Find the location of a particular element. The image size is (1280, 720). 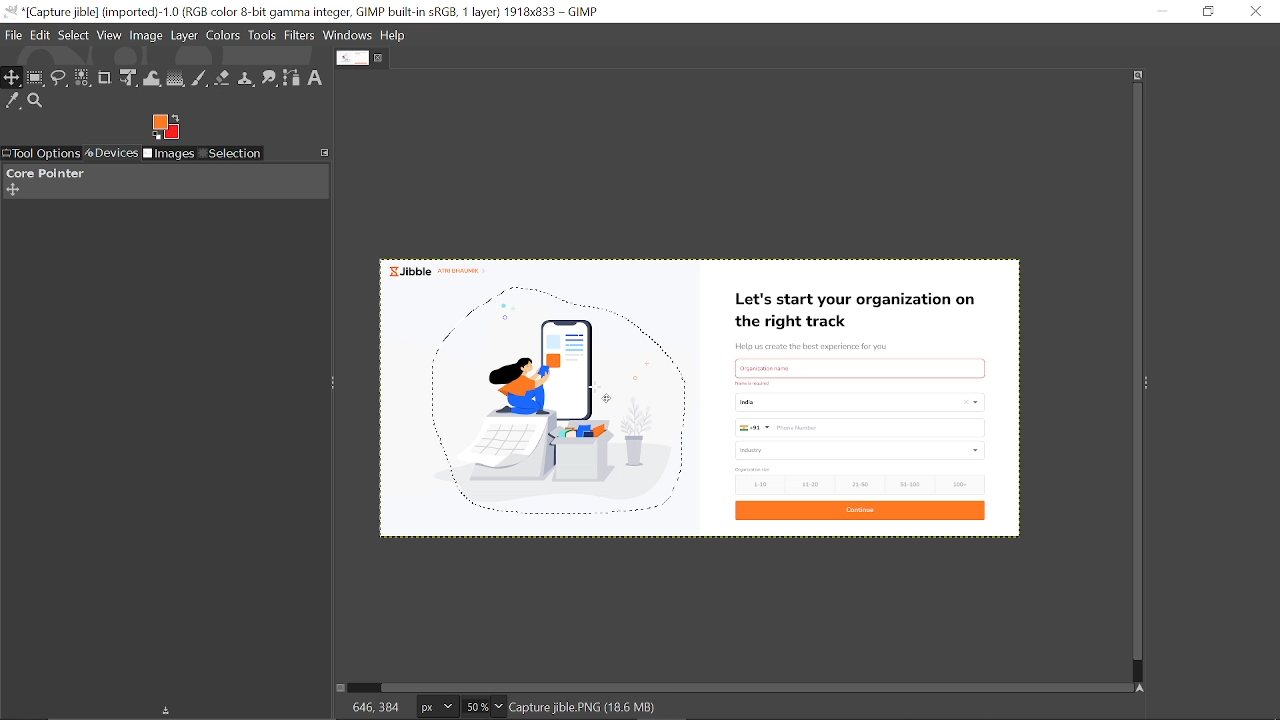

Windows is located at coordinates (347, 35).